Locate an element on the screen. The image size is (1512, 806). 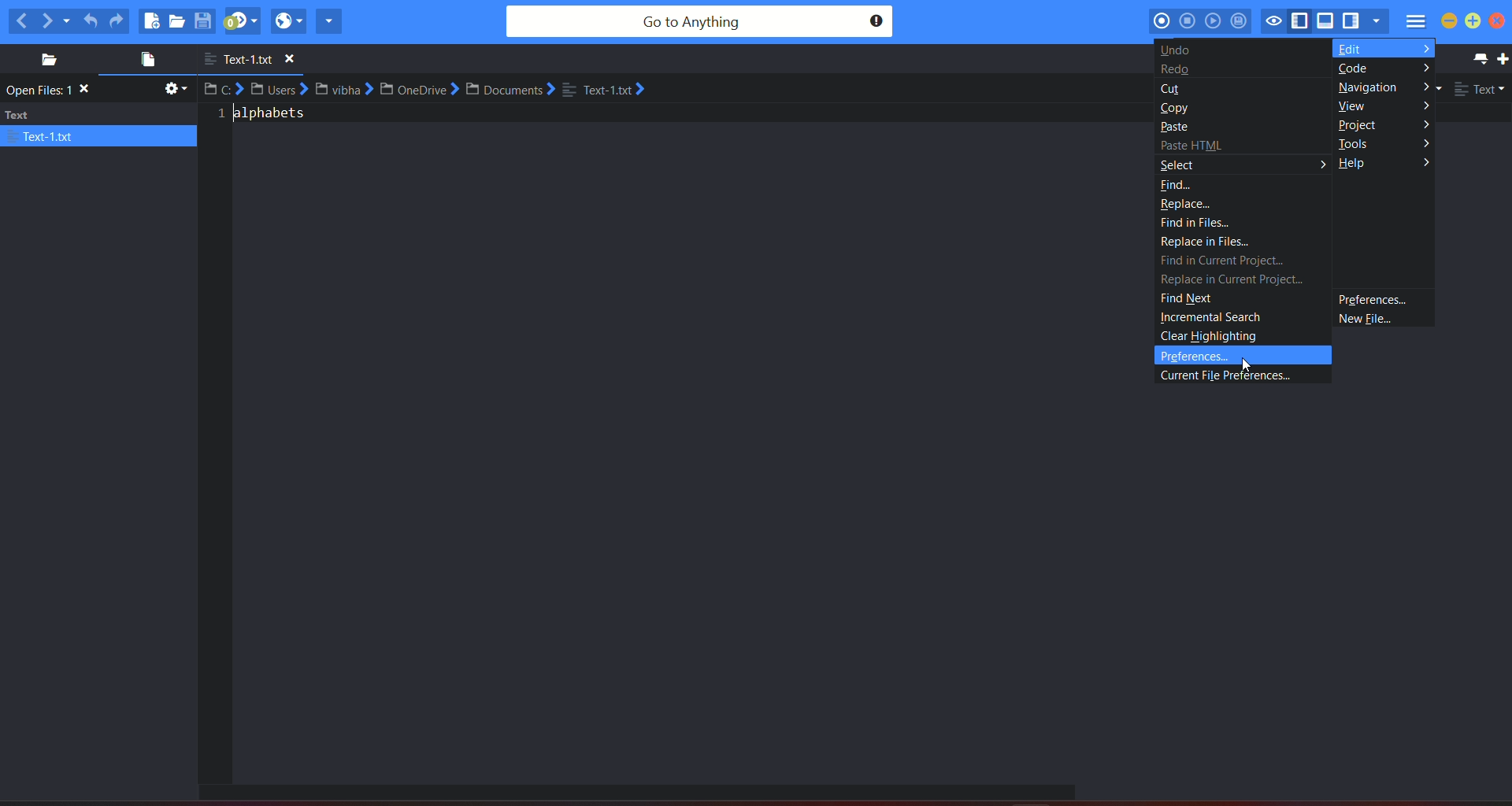
file name is located at coordinates (256, 60).